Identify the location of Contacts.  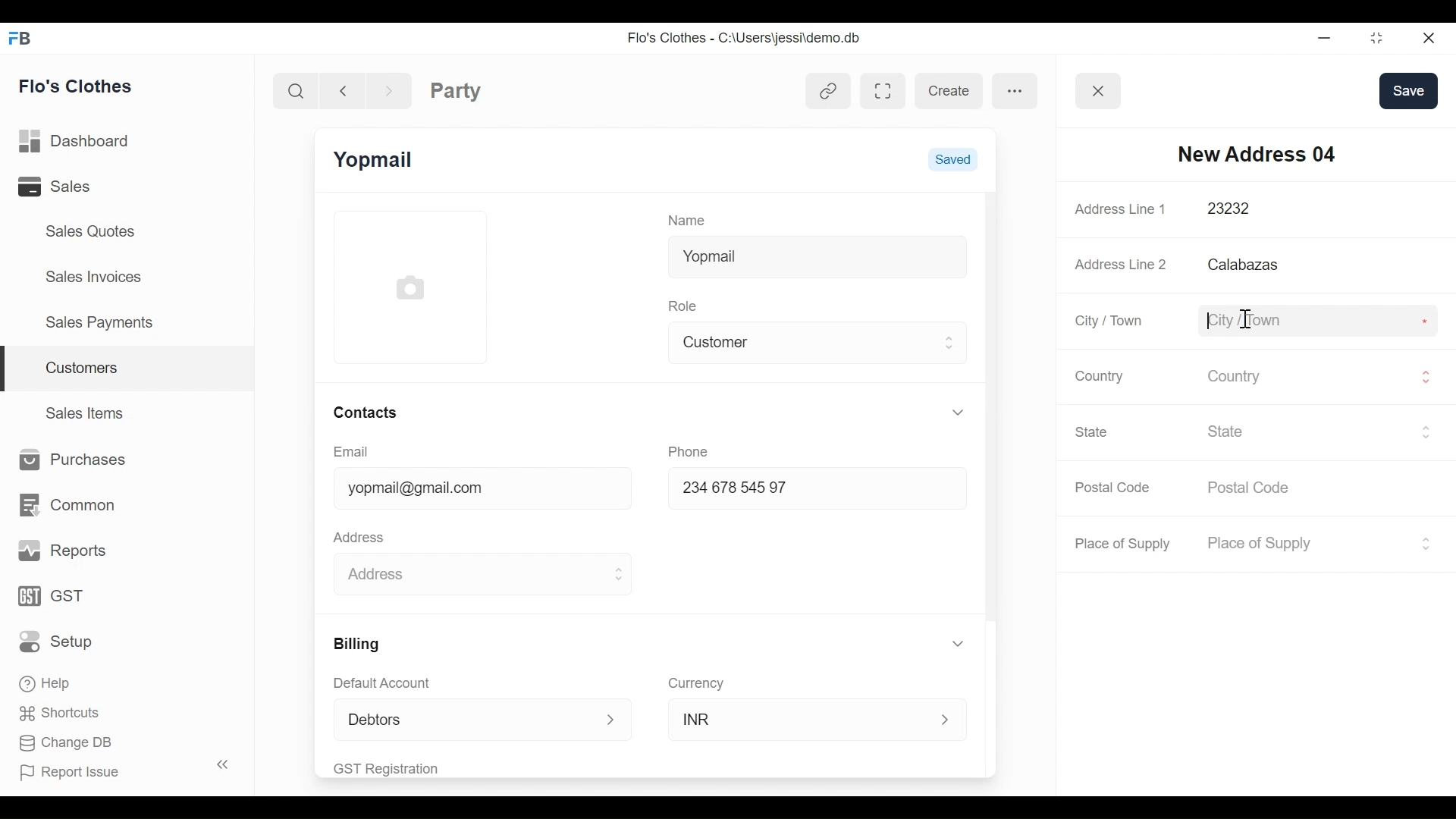
(364, 412).